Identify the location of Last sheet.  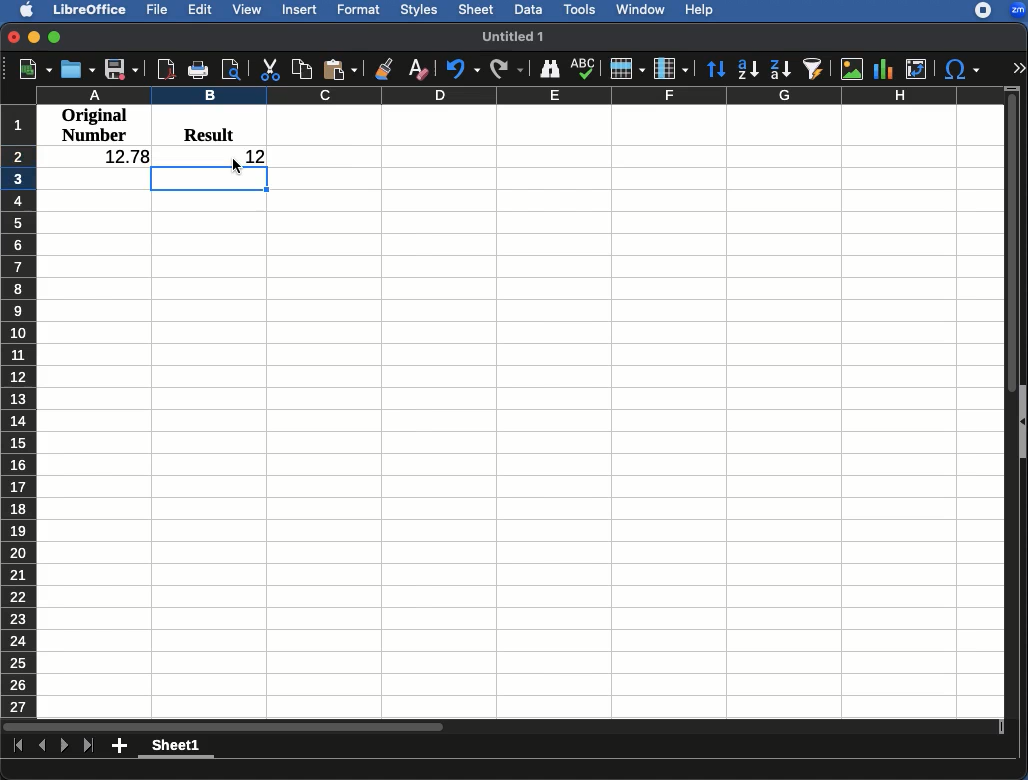
(90, 747).